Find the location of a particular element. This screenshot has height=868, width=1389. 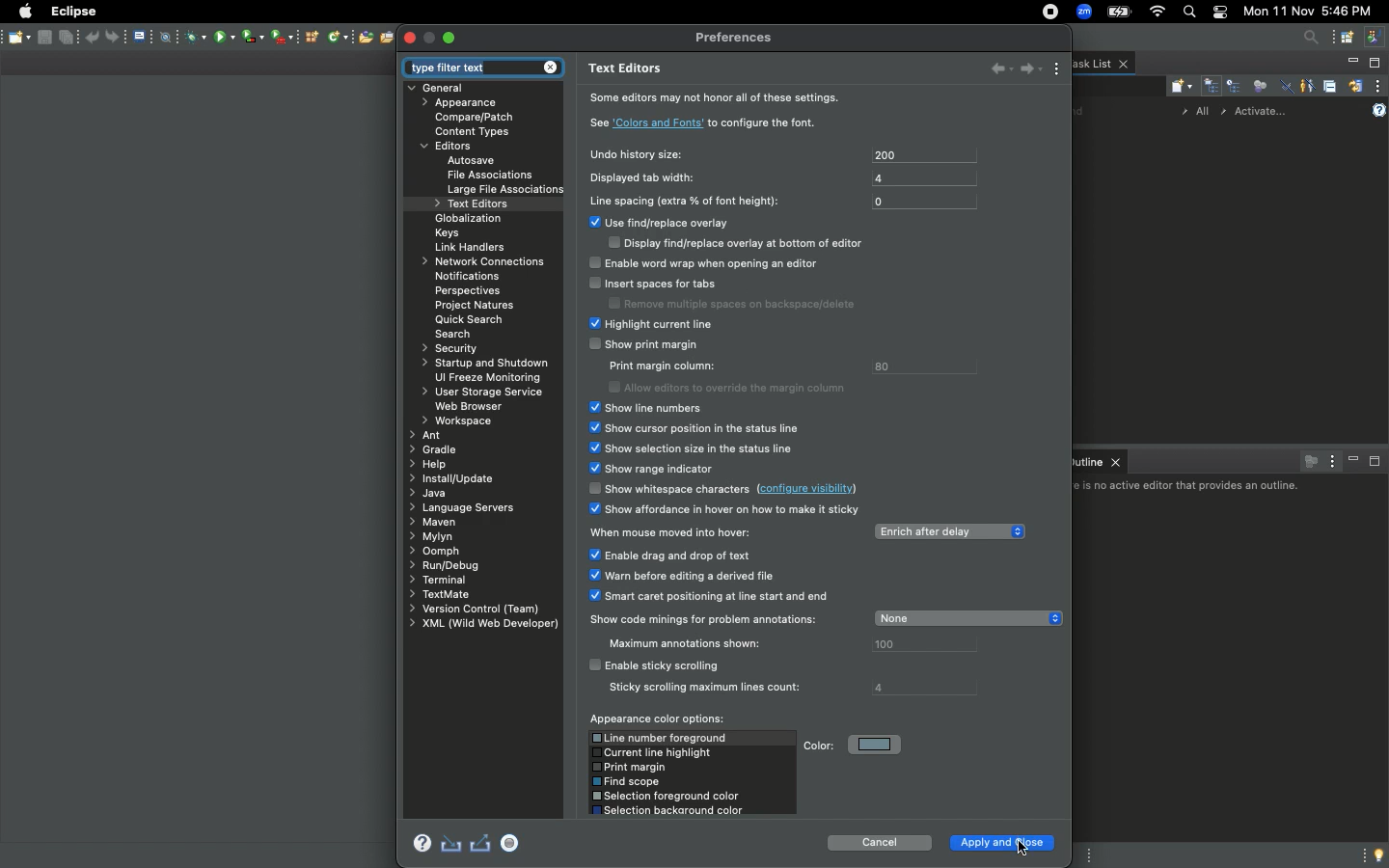

When mouse moved into hover options: is located at coordinates (711, 567).